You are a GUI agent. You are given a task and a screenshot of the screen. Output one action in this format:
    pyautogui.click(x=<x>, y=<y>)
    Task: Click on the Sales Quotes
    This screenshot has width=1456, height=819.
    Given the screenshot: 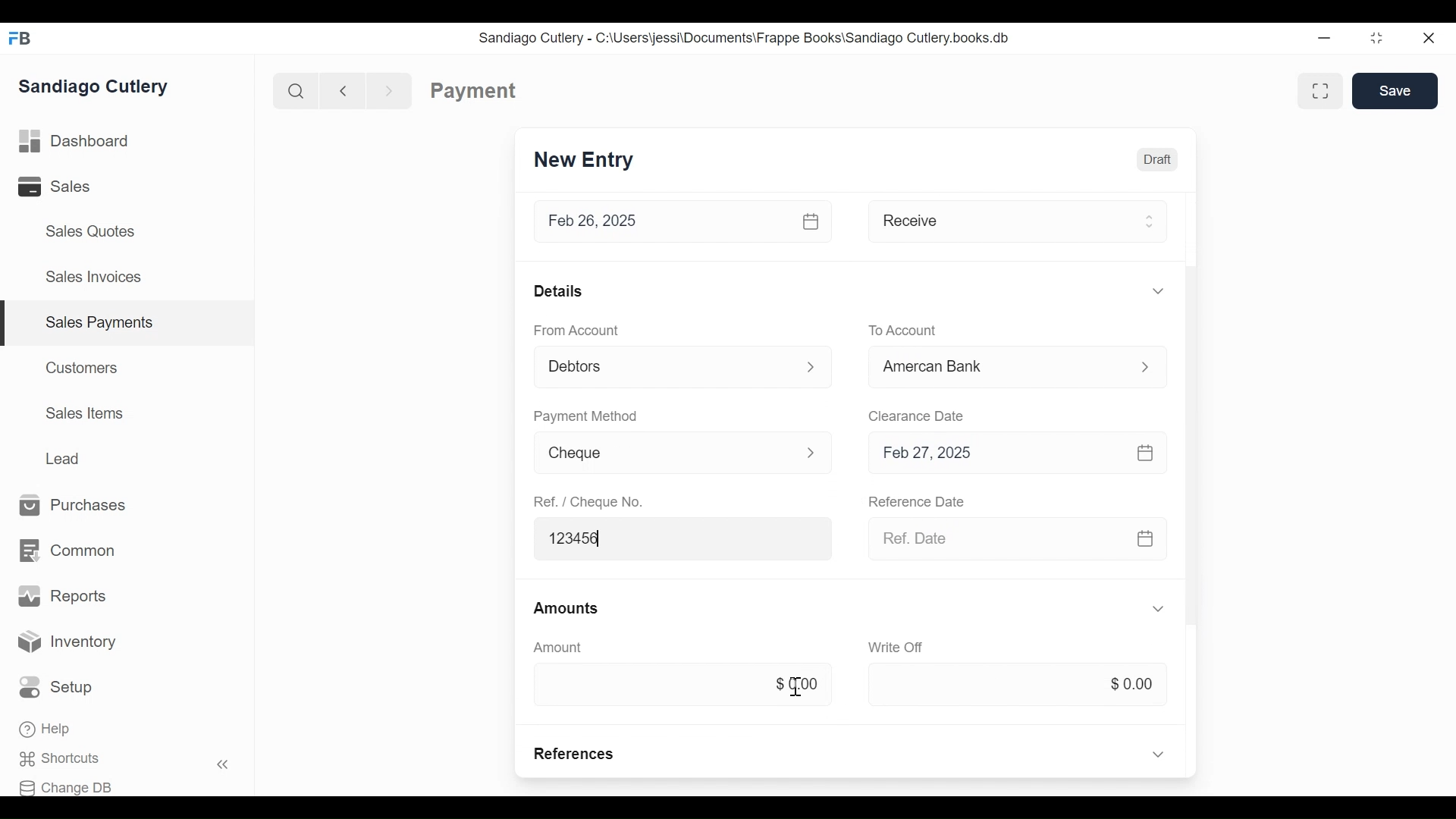 What is the action you would take?
    pyautogui.click(x=89, y=231)
    